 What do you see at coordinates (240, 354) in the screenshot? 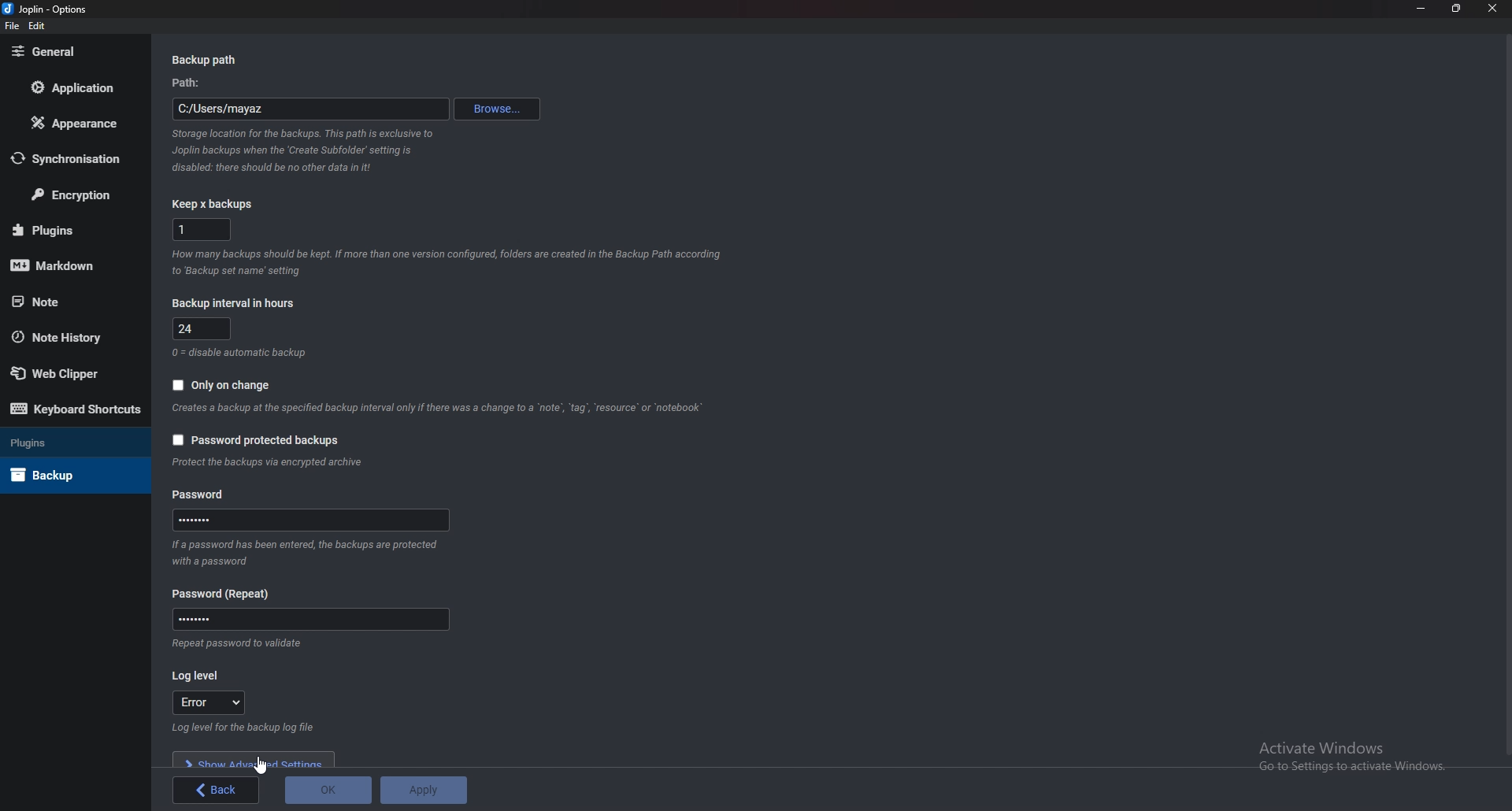
I see `Info` at bounding box center [240, 354].